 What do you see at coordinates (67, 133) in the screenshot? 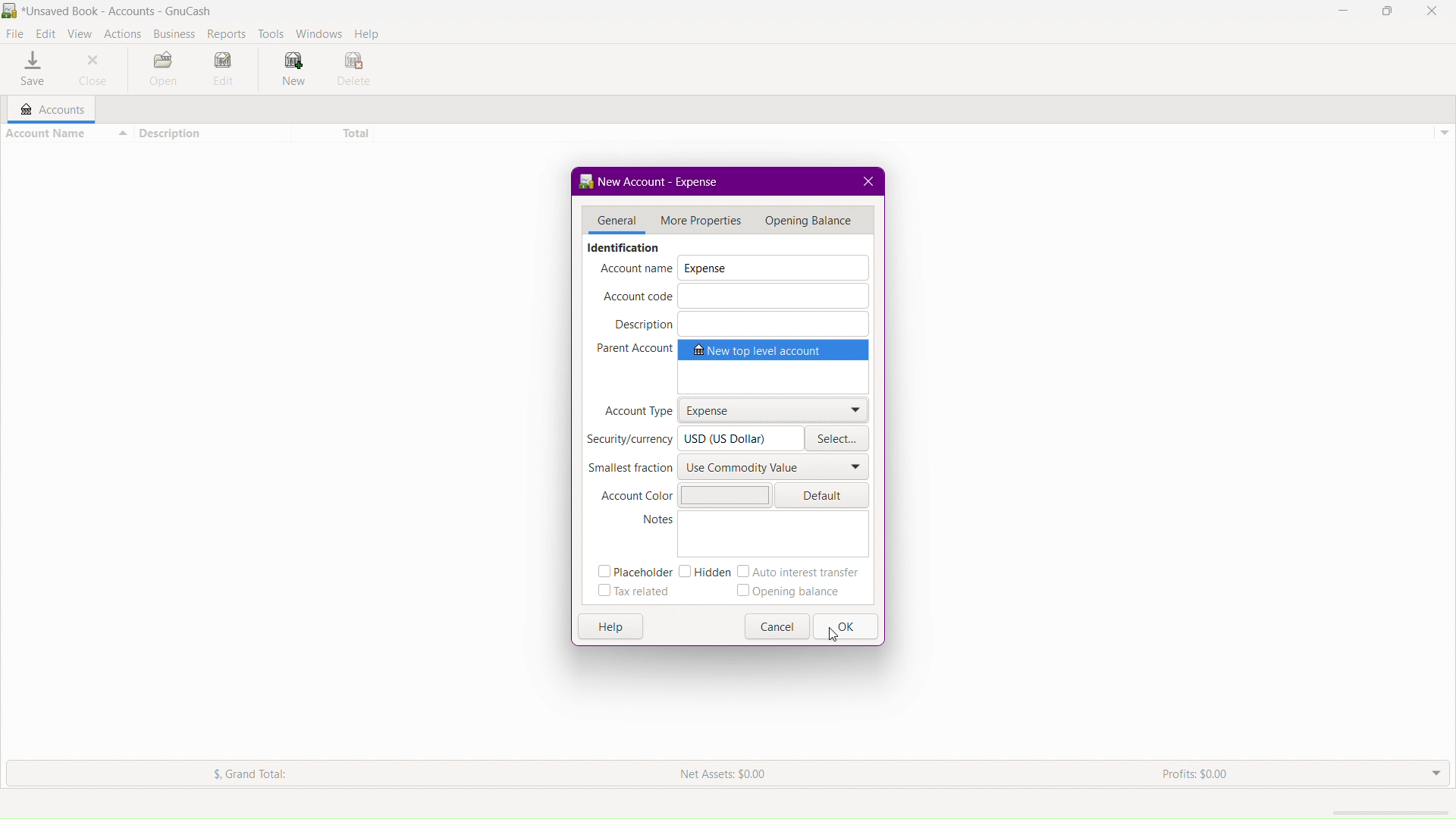
I see `Account Name` at bounding box center [67, 133].